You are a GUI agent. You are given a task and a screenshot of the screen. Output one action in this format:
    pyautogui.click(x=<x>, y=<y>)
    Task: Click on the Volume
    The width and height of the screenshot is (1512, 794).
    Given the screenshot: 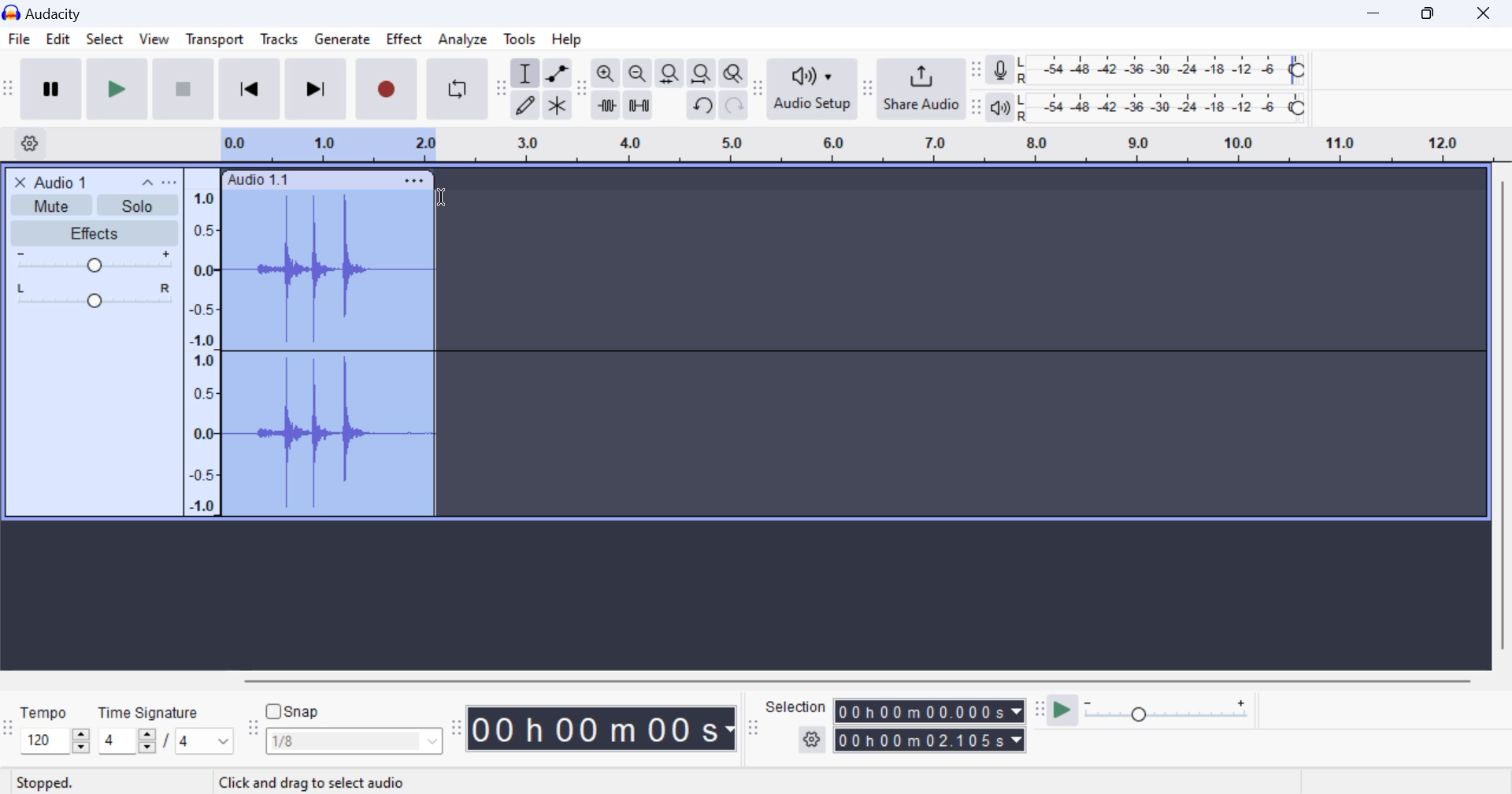 What is the action you would take?
    pyautogui.click(x=91, y=262)
    